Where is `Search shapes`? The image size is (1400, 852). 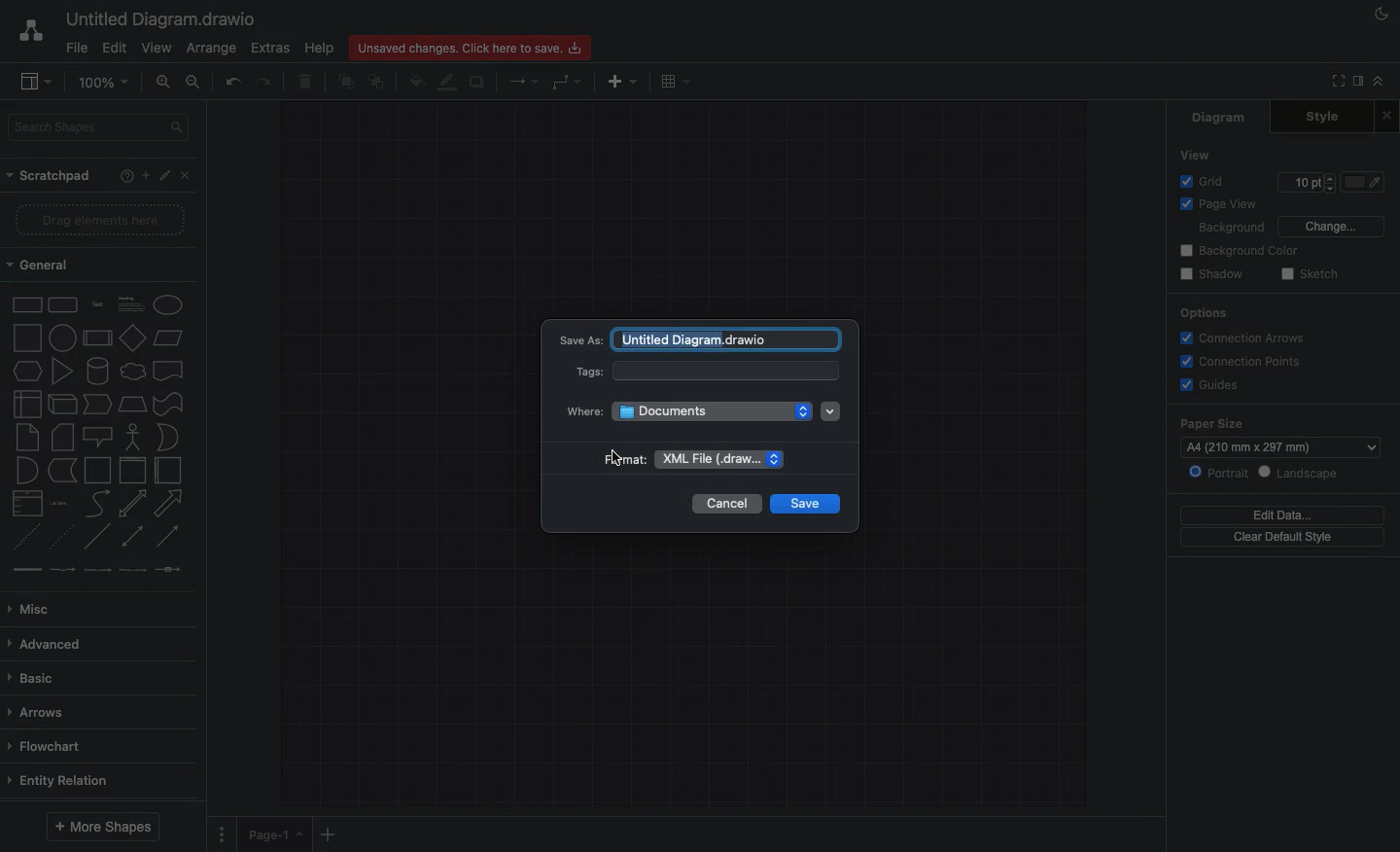 Search shapes is located at coordinates (95, 128).